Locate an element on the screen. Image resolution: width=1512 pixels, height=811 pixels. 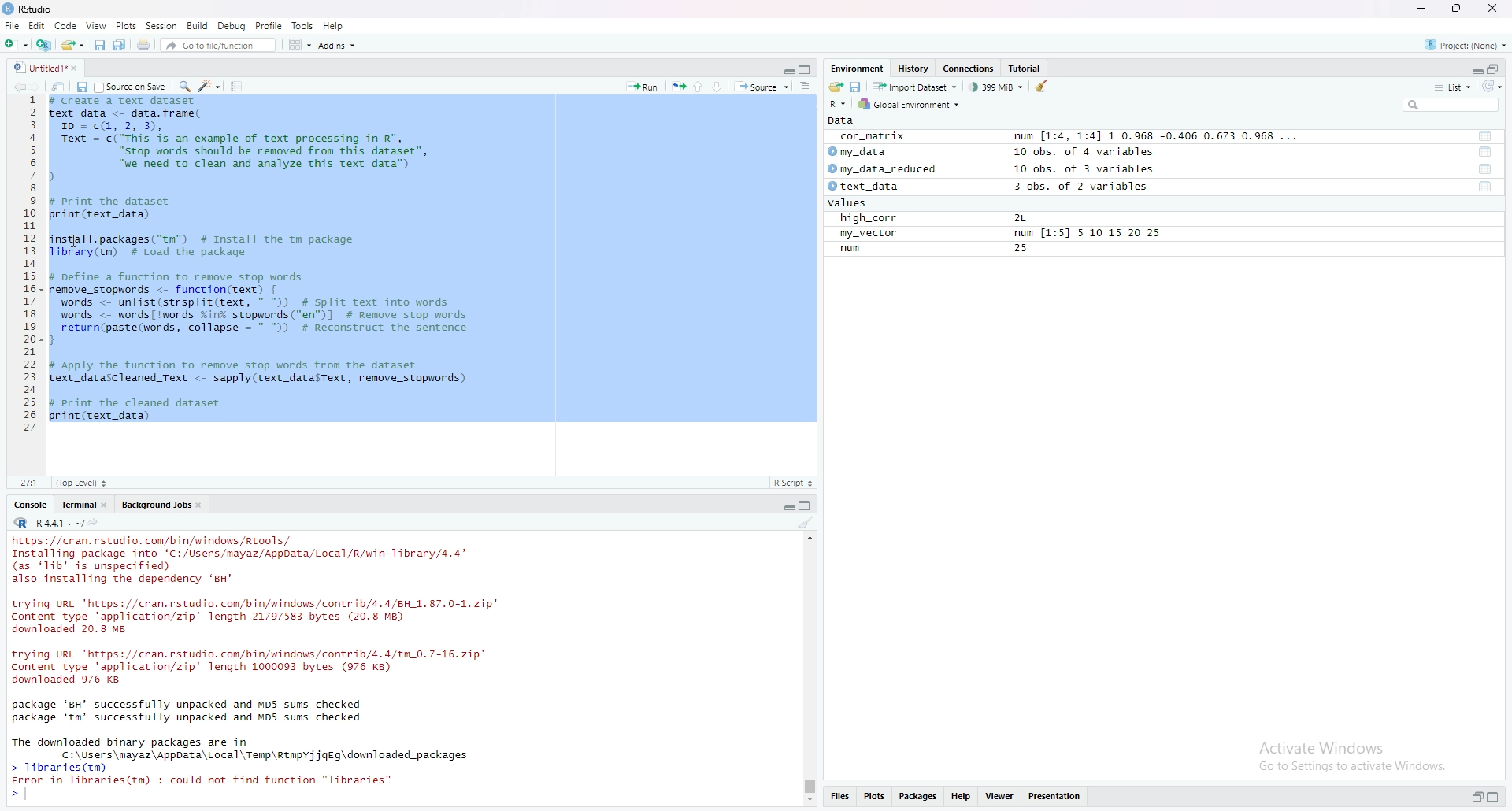
collapse is located at coordinates (806, 71).